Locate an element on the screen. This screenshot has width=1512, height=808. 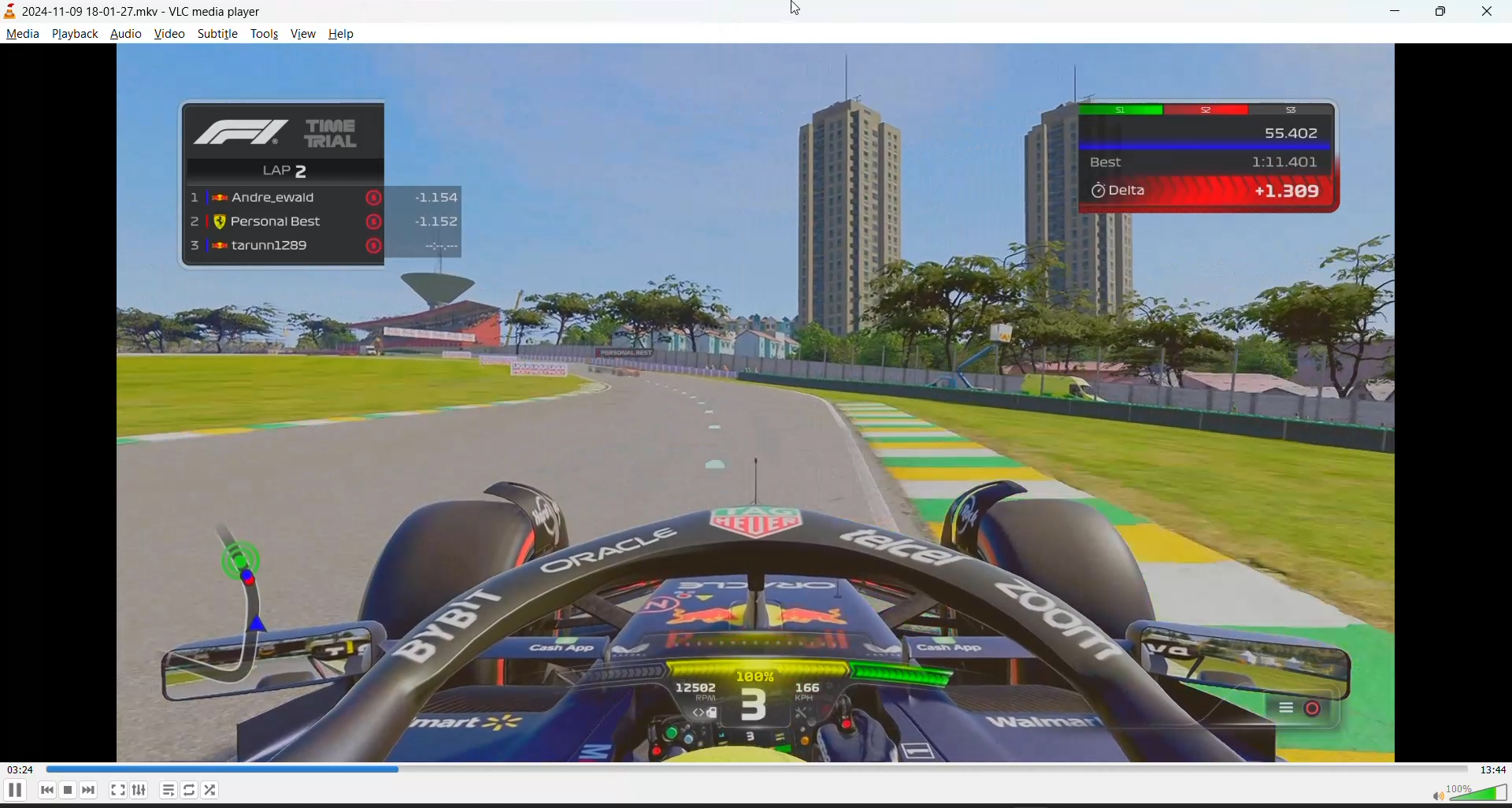
minimize is located at coordinates (1386, 14).